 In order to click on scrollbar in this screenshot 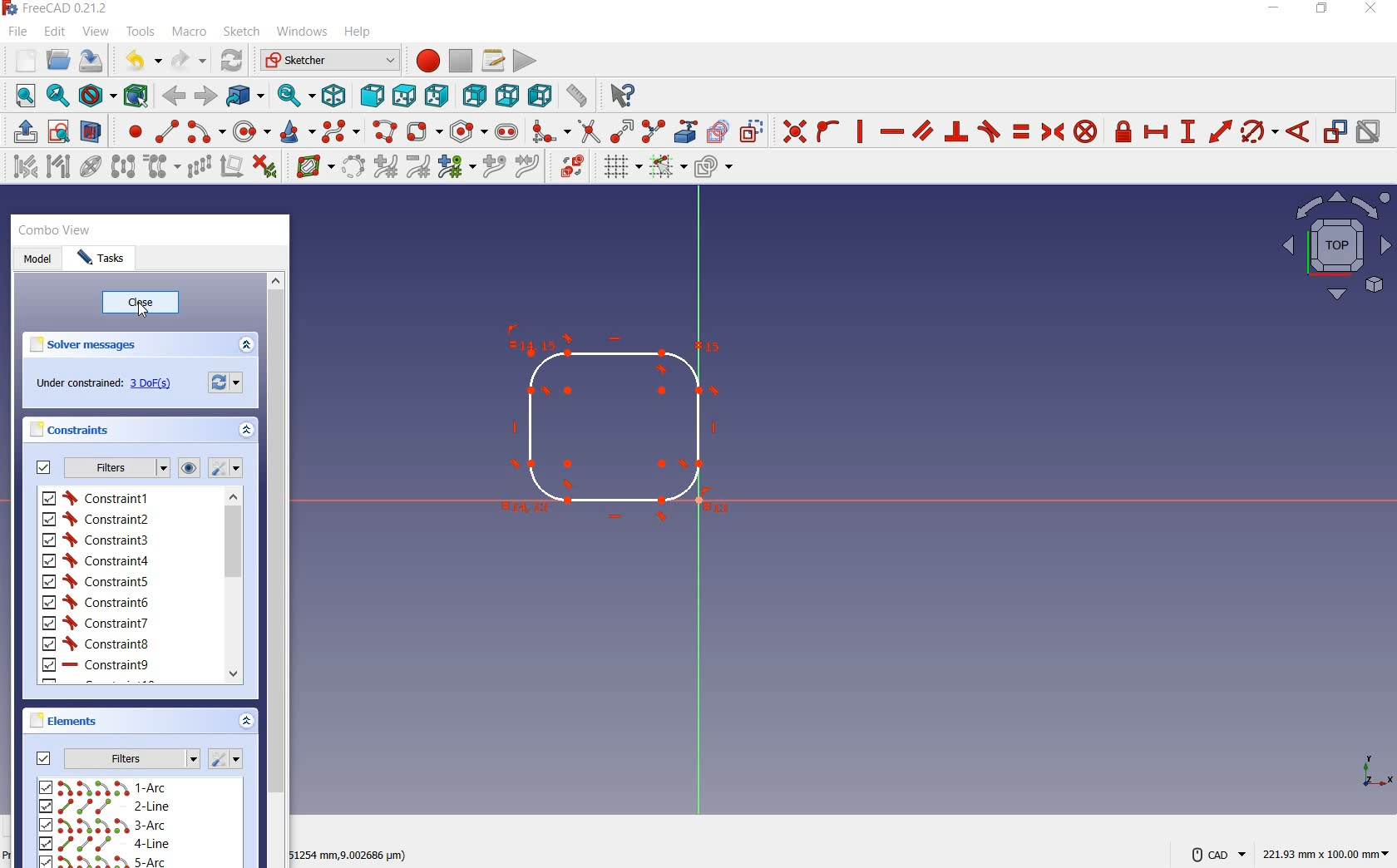, I will do `click(234, 589)`.